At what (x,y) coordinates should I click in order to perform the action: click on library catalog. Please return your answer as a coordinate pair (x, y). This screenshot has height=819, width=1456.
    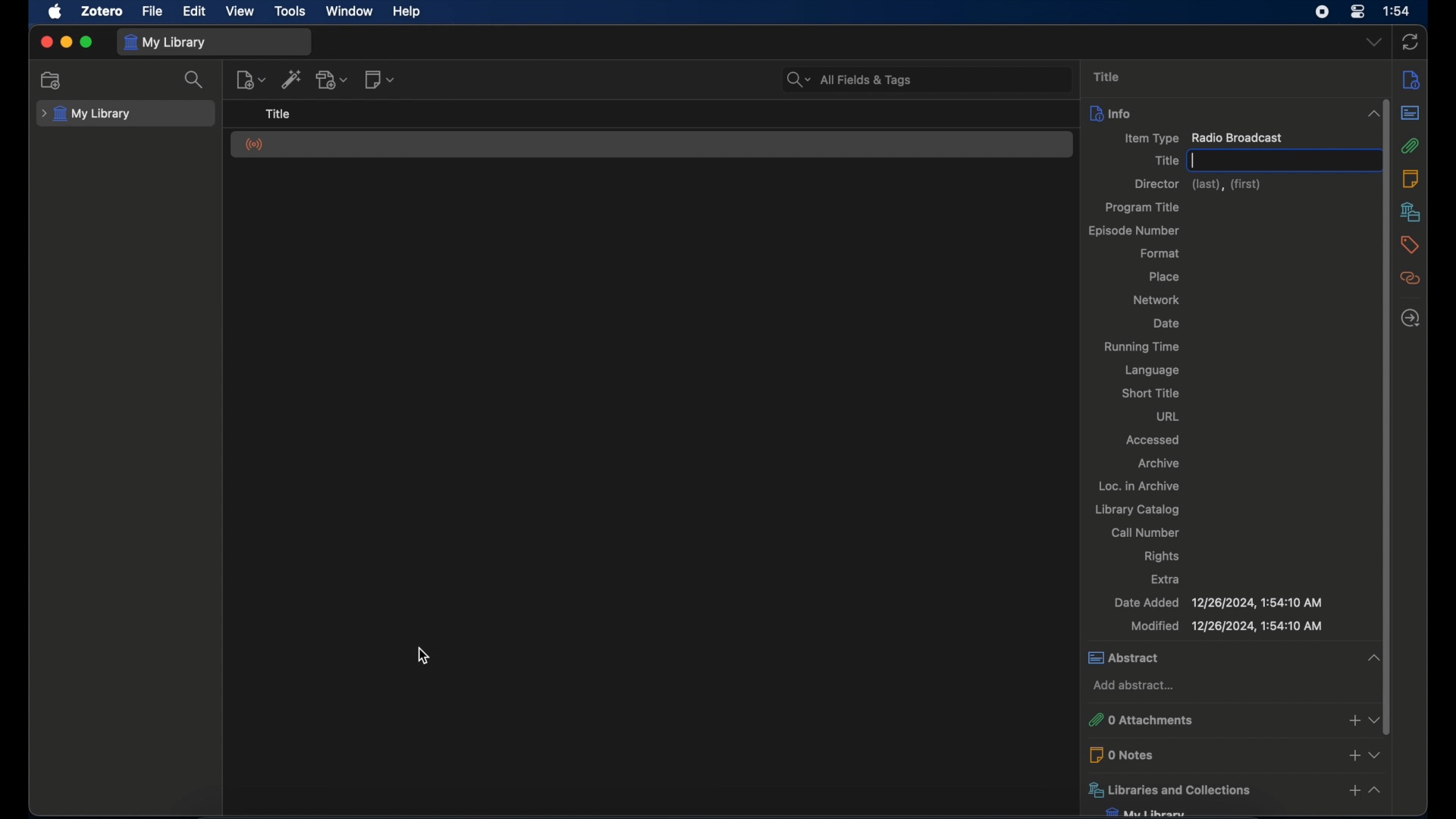
    Looking at the image, I should click on (1137, 510).